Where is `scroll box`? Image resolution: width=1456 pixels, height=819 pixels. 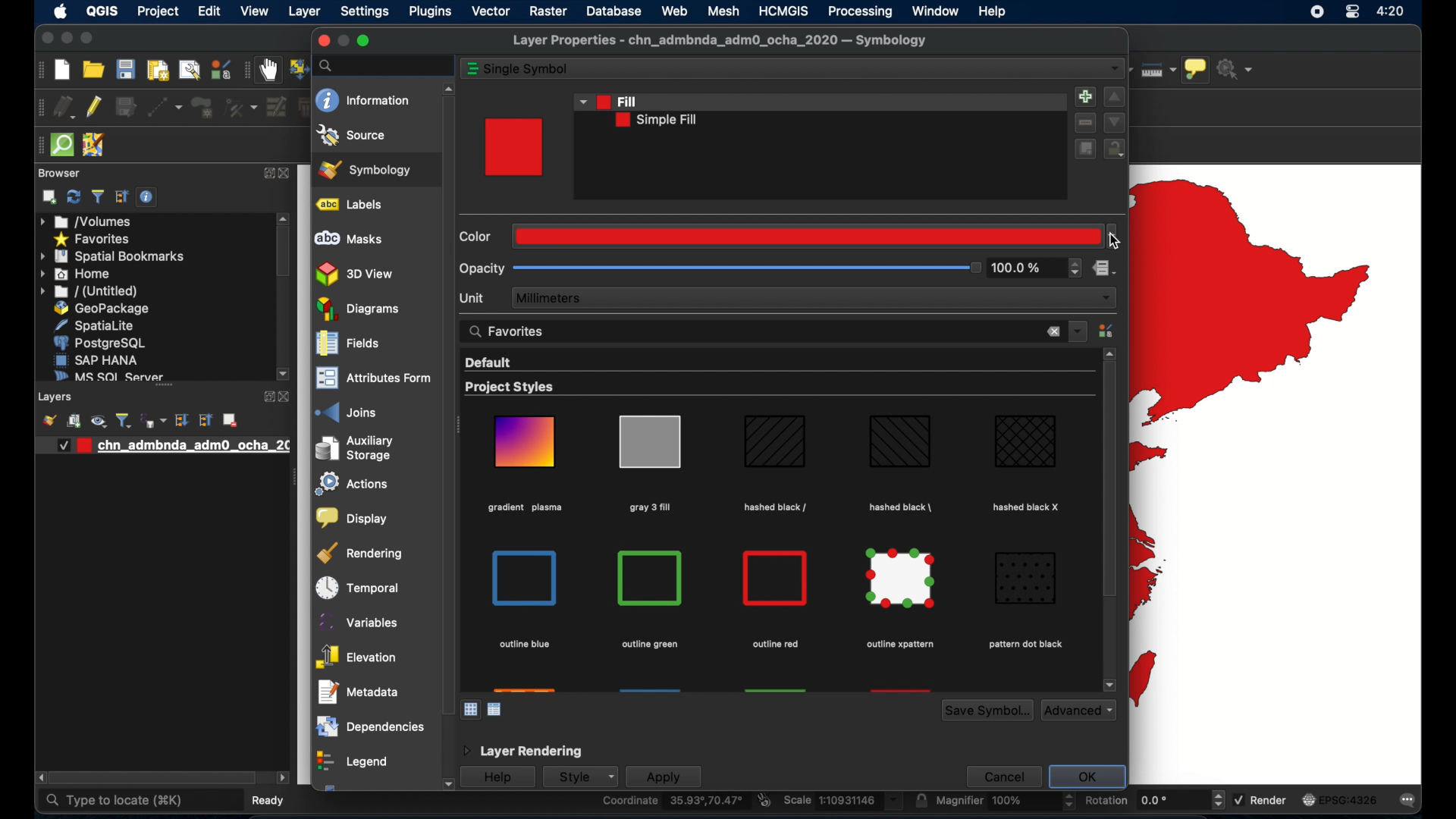
scroll box is located at coordinates (284, 253).